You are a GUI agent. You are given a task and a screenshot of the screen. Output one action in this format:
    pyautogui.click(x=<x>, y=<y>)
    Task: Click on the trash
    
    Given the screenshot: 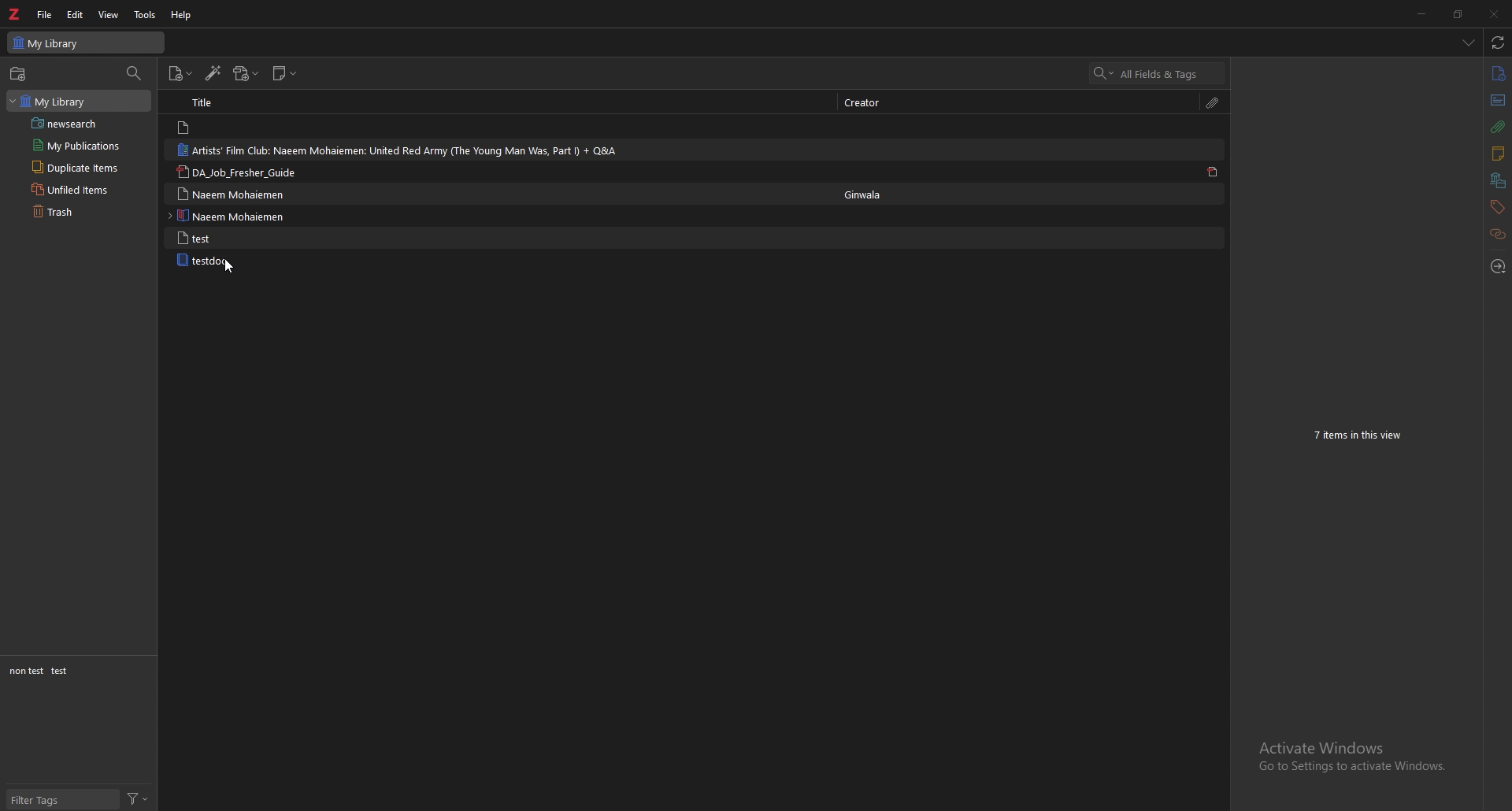 What is the action you would take?
    pyautogui.click(x=82, y=212)
    